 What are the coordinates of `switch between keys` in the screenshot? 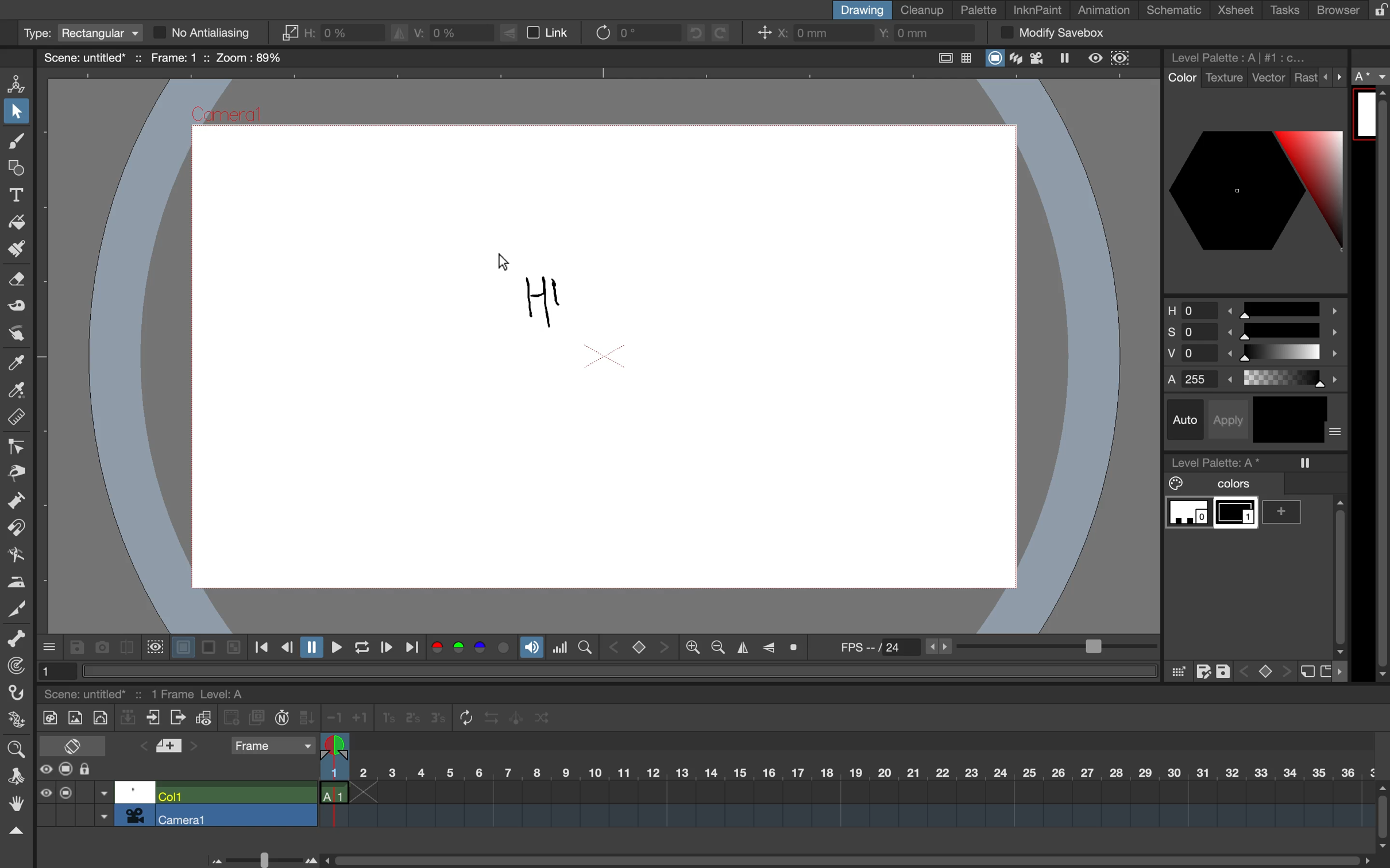 It's located at (1264, 670).